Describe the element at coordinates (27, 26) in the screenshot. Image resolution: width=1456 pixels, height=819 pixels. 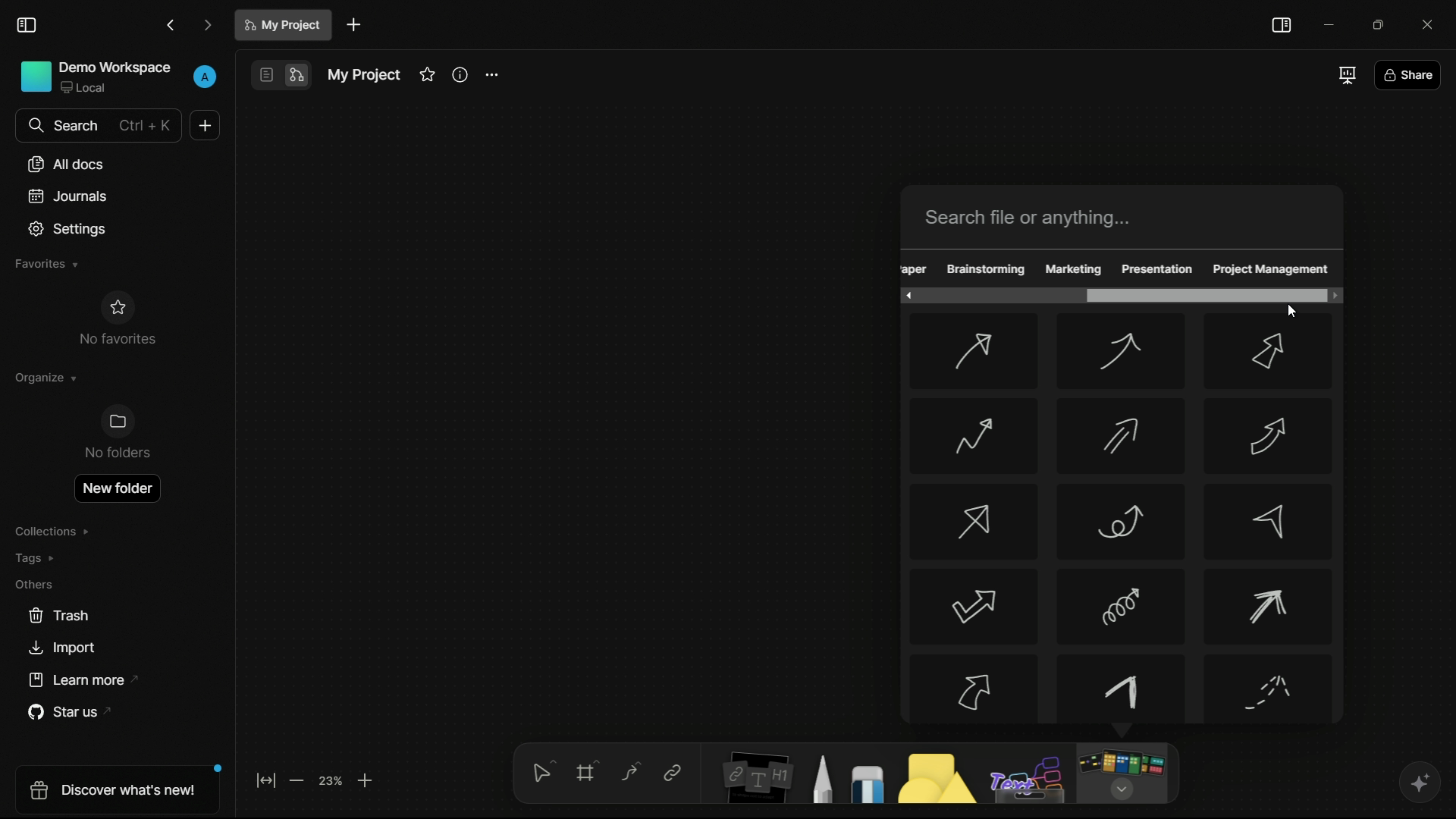
I see `toggle sidebar` at that location.